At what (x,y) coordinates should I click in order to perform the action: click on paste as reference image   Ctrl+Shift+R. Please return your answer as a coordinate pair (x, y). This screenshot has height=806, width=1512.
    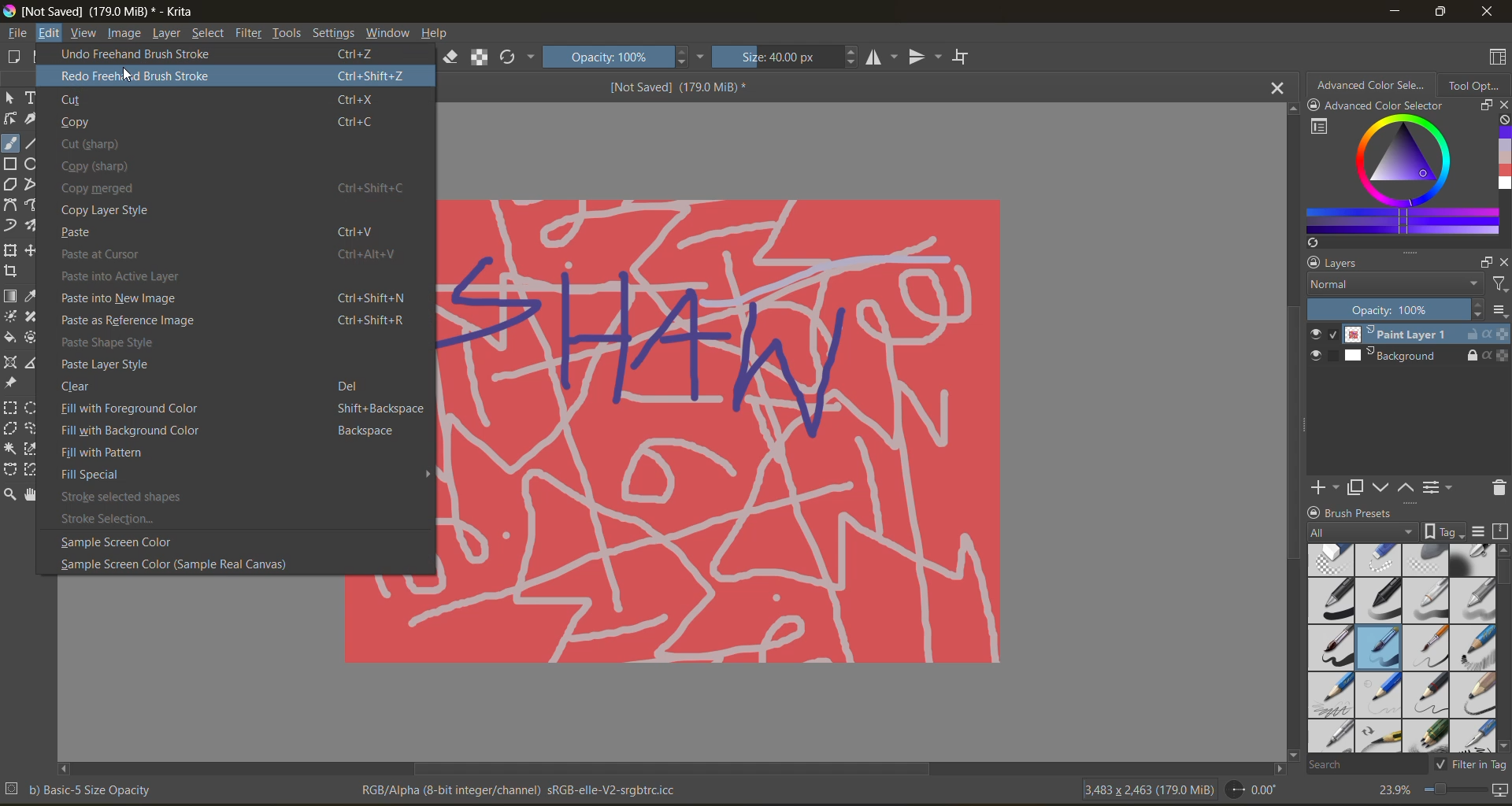
    Looking at the image, I should click on (229, 321).